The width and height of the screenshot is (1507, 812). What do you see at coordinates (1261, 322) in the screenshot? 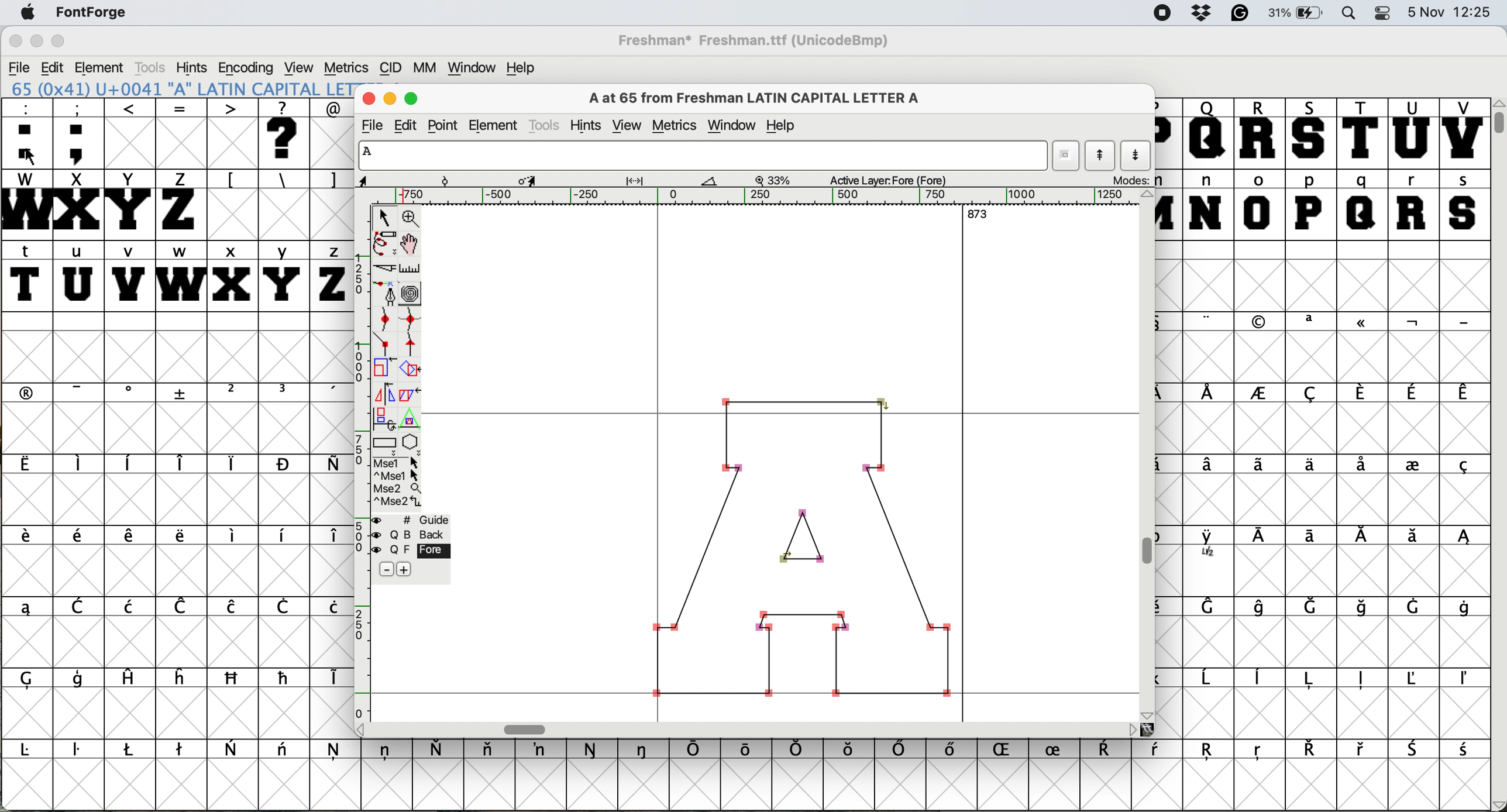
I see `symbol` at bounding box center [1261, 322].